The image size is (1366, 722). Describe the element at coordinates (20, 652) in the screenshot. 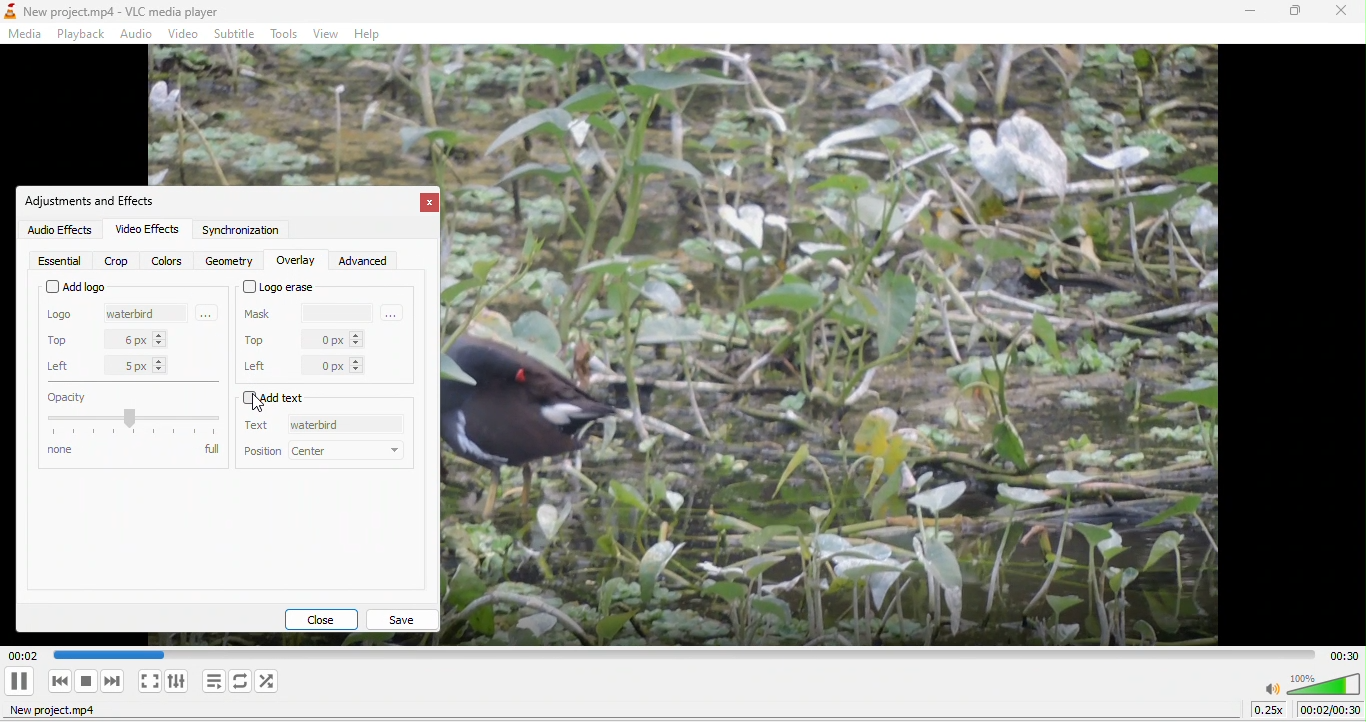

I see `00.02` at that location.